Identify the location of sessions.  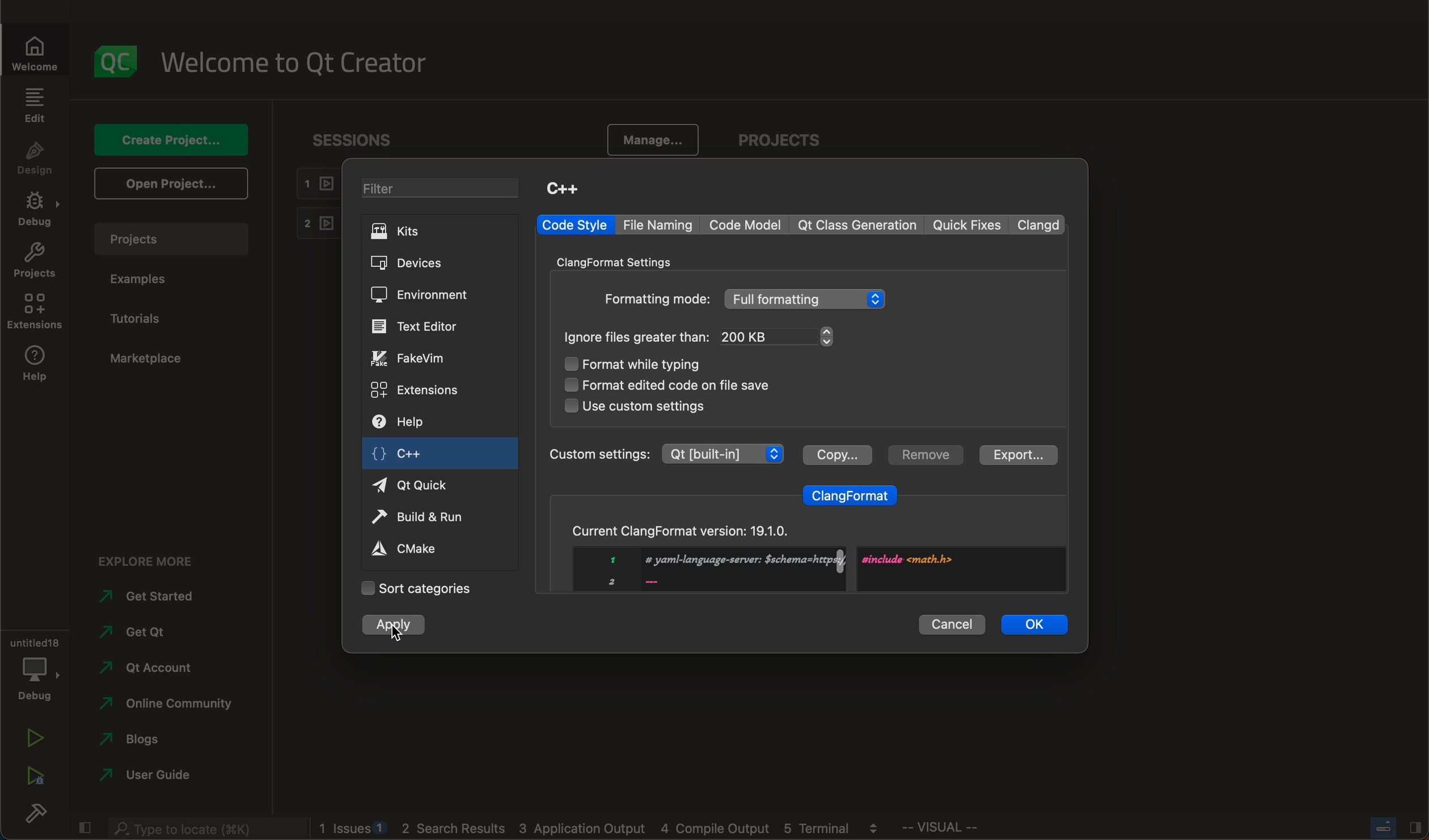
(362, 139).